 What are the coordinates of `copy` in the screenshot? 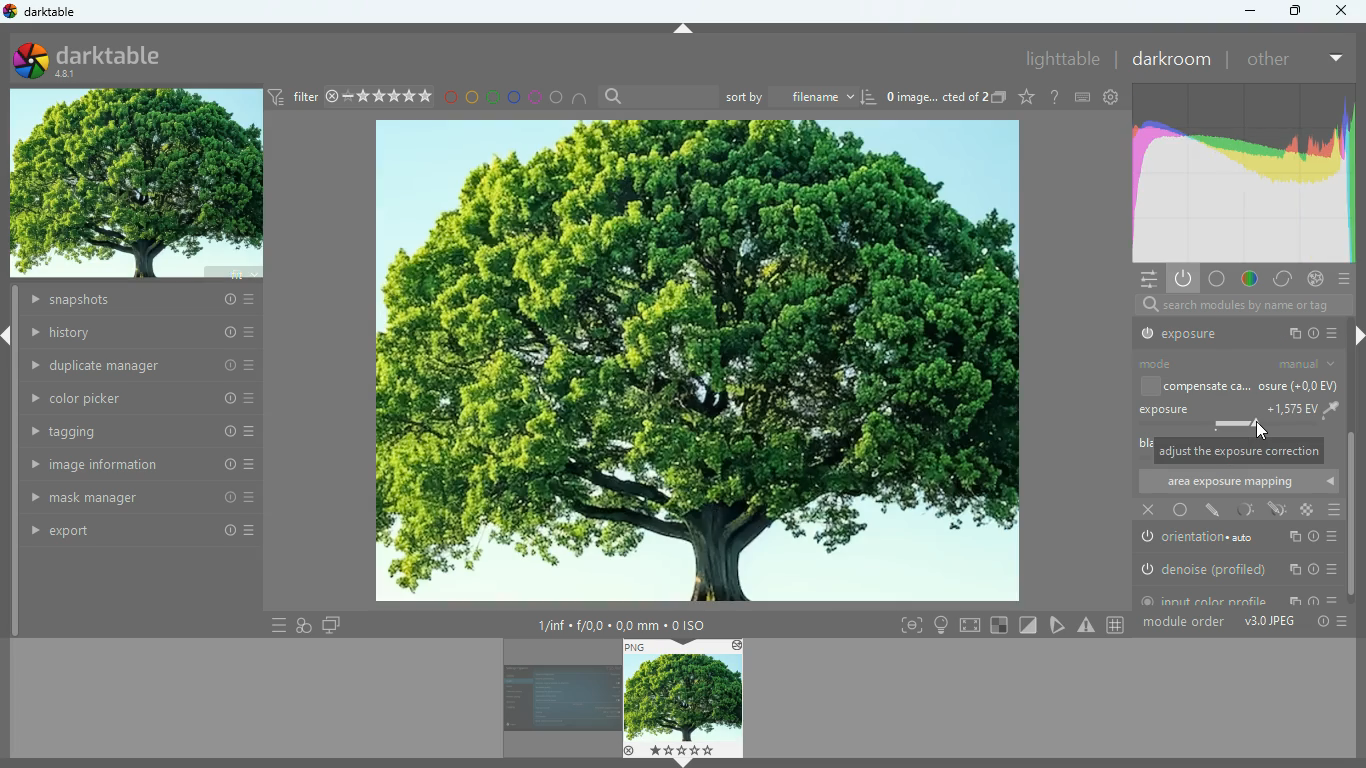 It's located at (1001, 98).